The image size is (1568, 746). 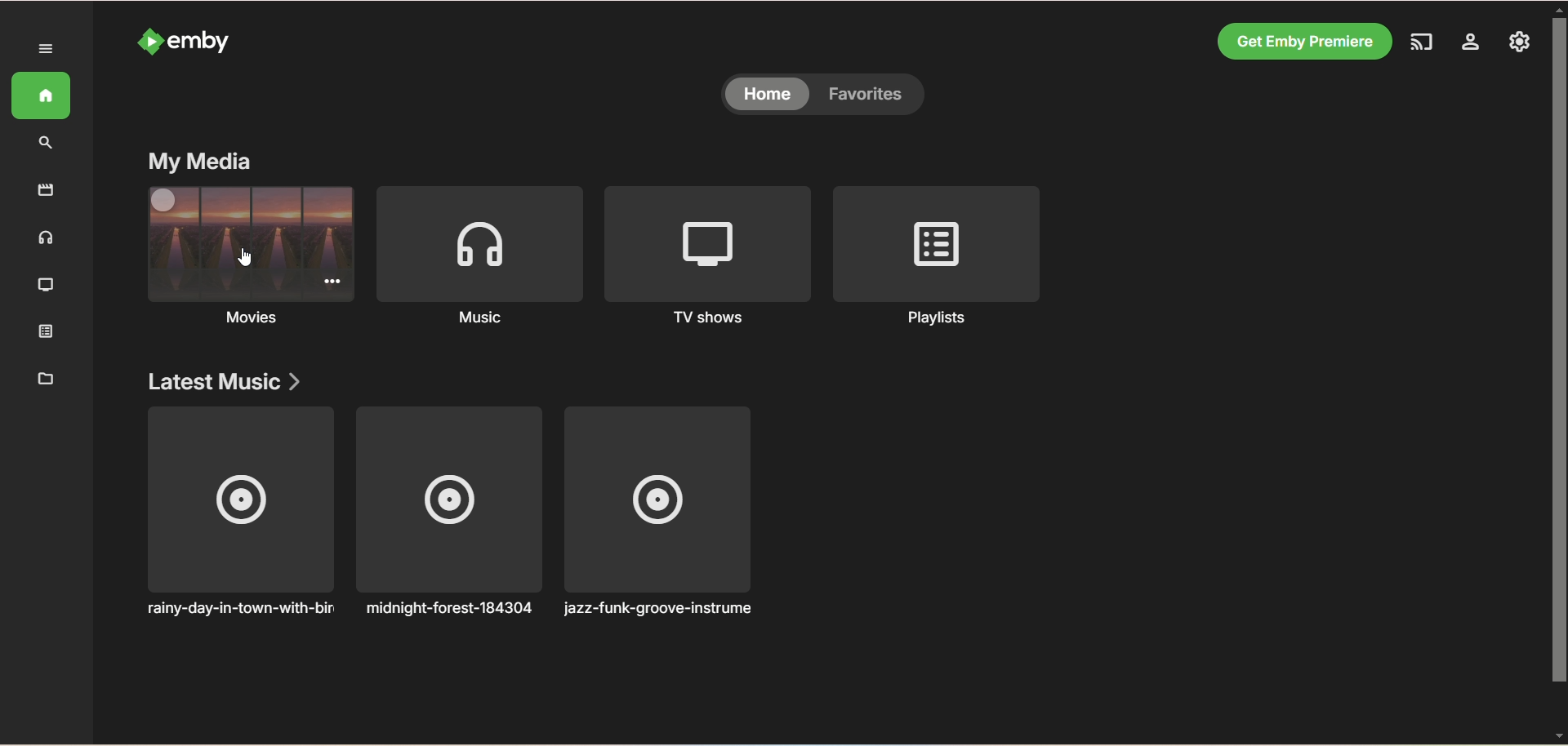 I want to click on cursor, so click(x=246, y=255).